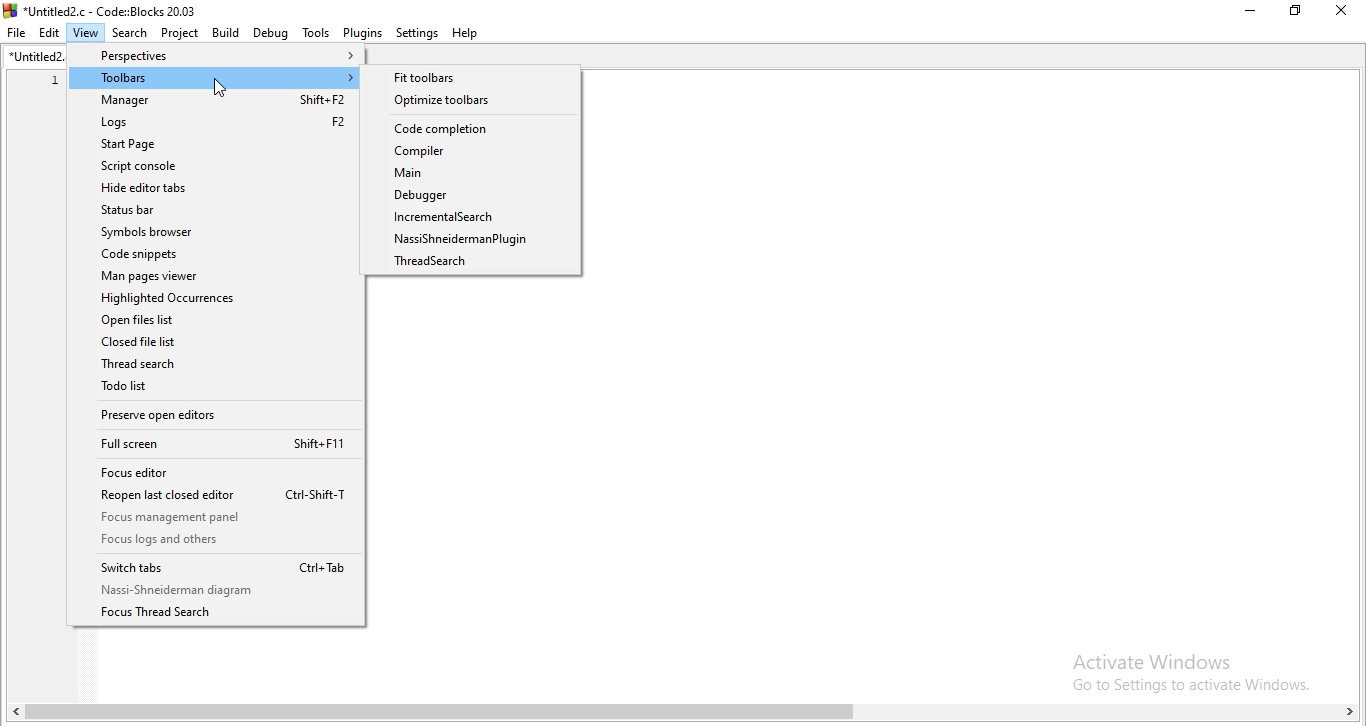  What do you see at coordinates (465, 126) in the screenshot?
I see `Code completion` at bounding box center [465, 126].